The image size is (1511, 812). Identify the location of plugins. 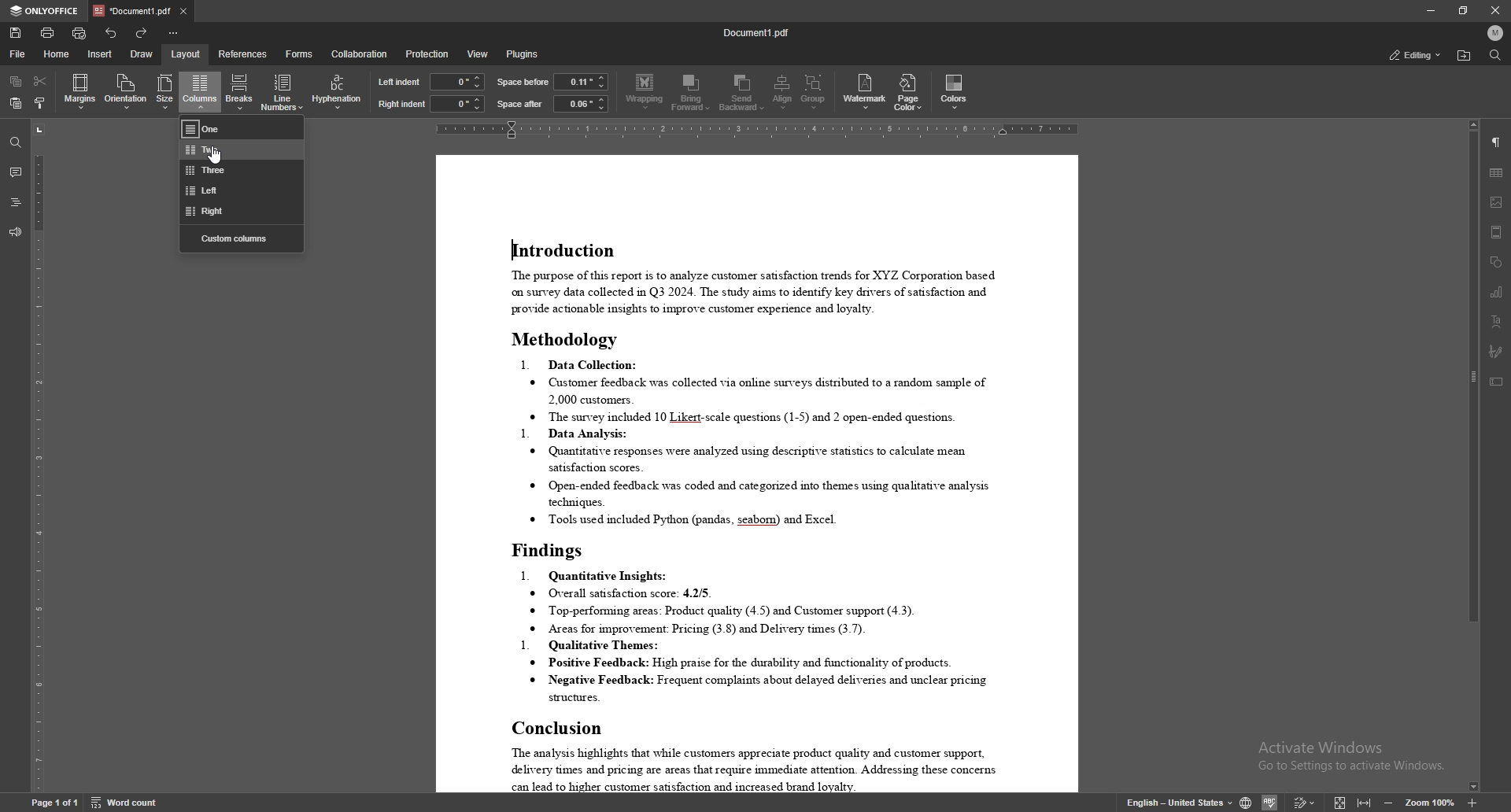
(525, 54).